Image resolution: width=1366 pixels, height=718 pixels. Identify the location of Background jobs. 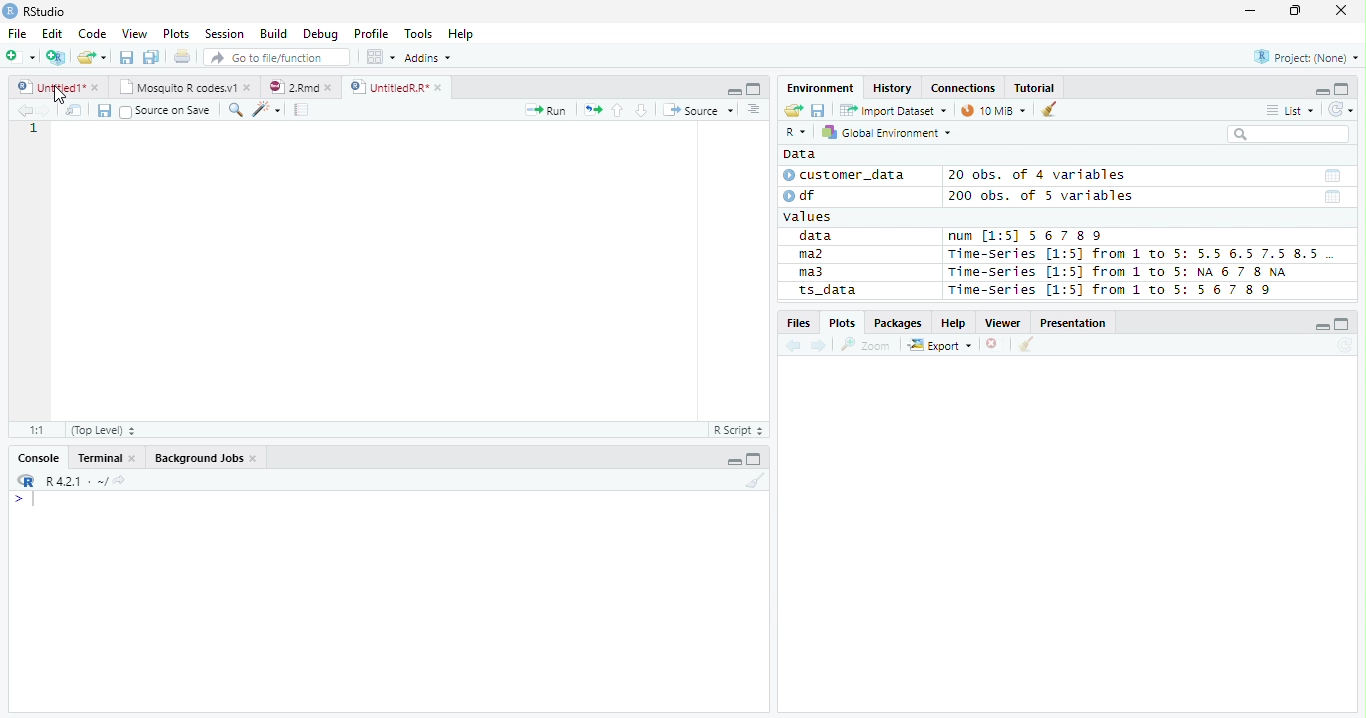
(206, 460).